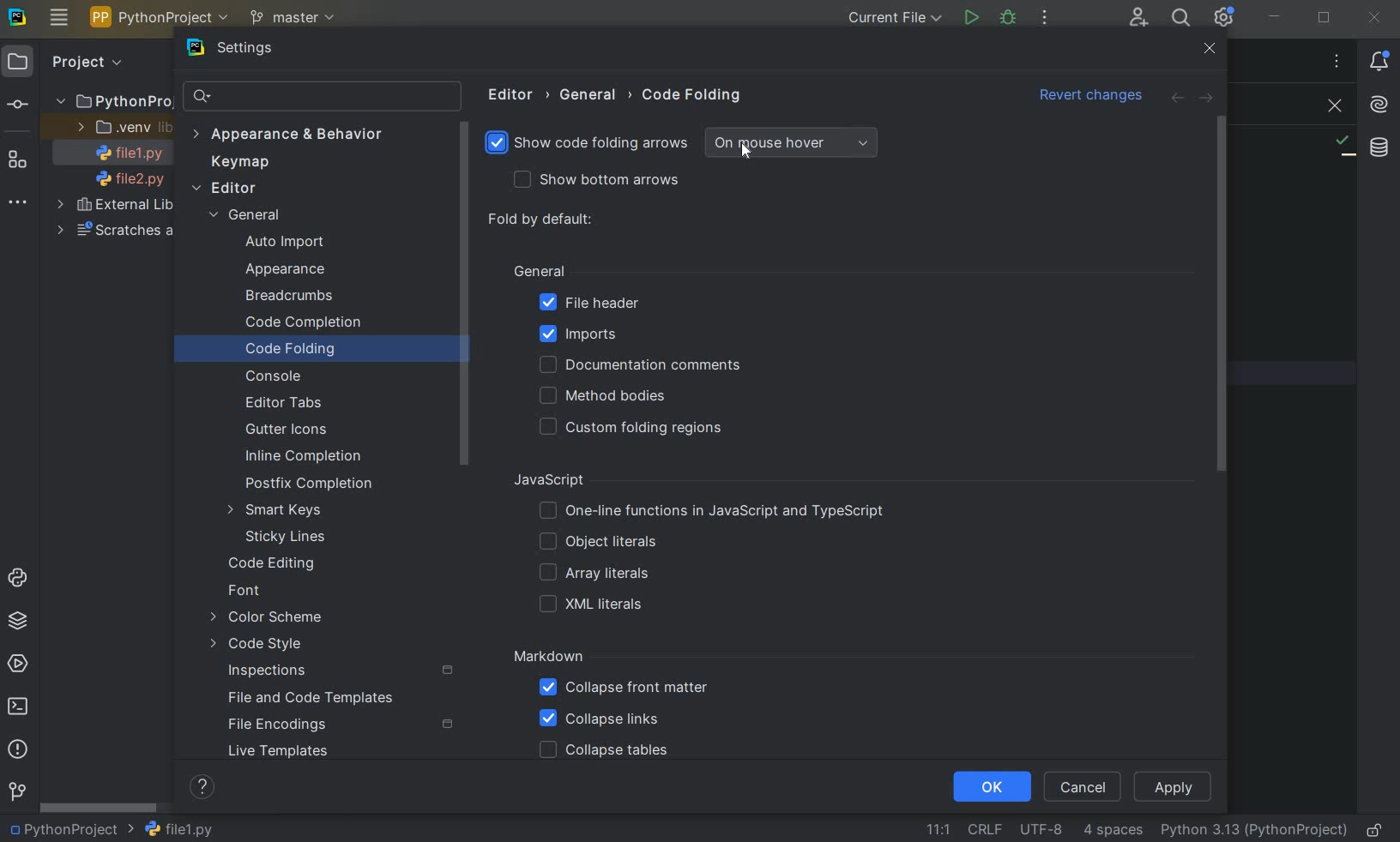 The width and height of the screenshot is (1400, 842). Describe the element at coordinates (468, 296) in the screenshot. I see `SROLLBAR` at that location.